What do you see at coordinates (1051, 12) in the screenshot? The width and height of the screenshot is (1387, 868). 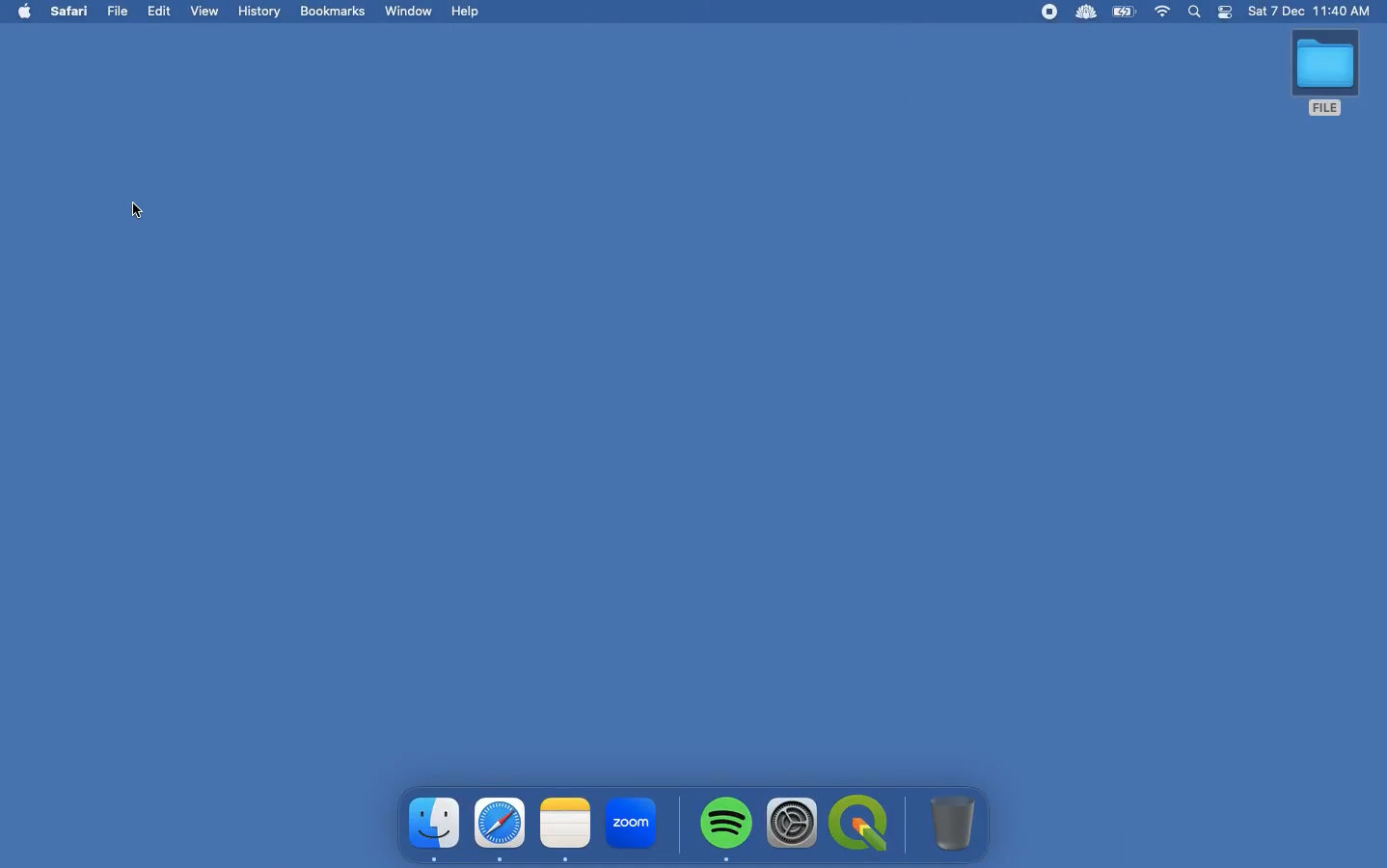 I see `stop recording` at bounding box center [1051, 12].